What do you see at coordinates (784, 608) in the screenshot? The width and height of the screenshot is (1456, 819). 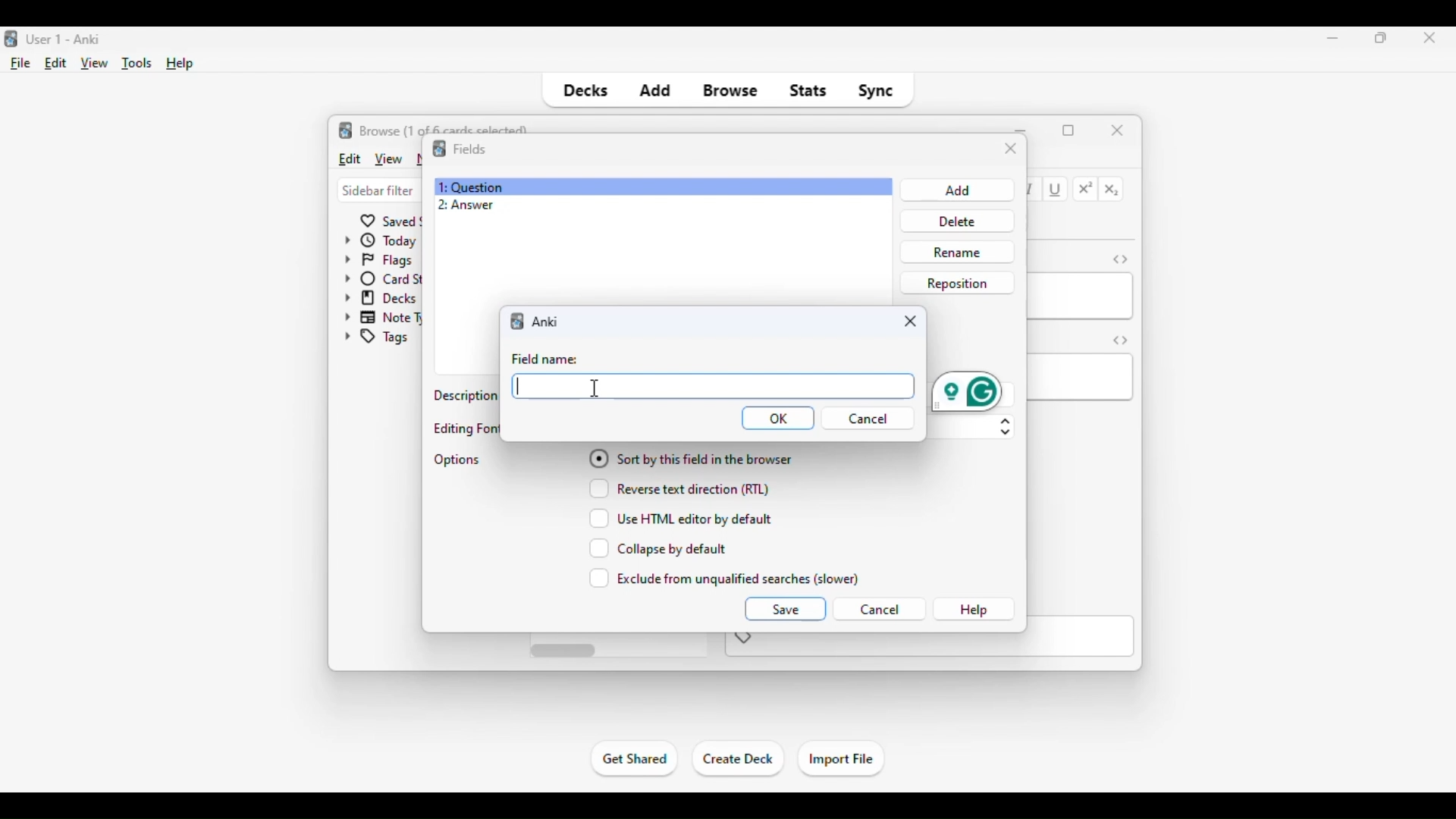 I see `save` at bounding box center [784, 608].